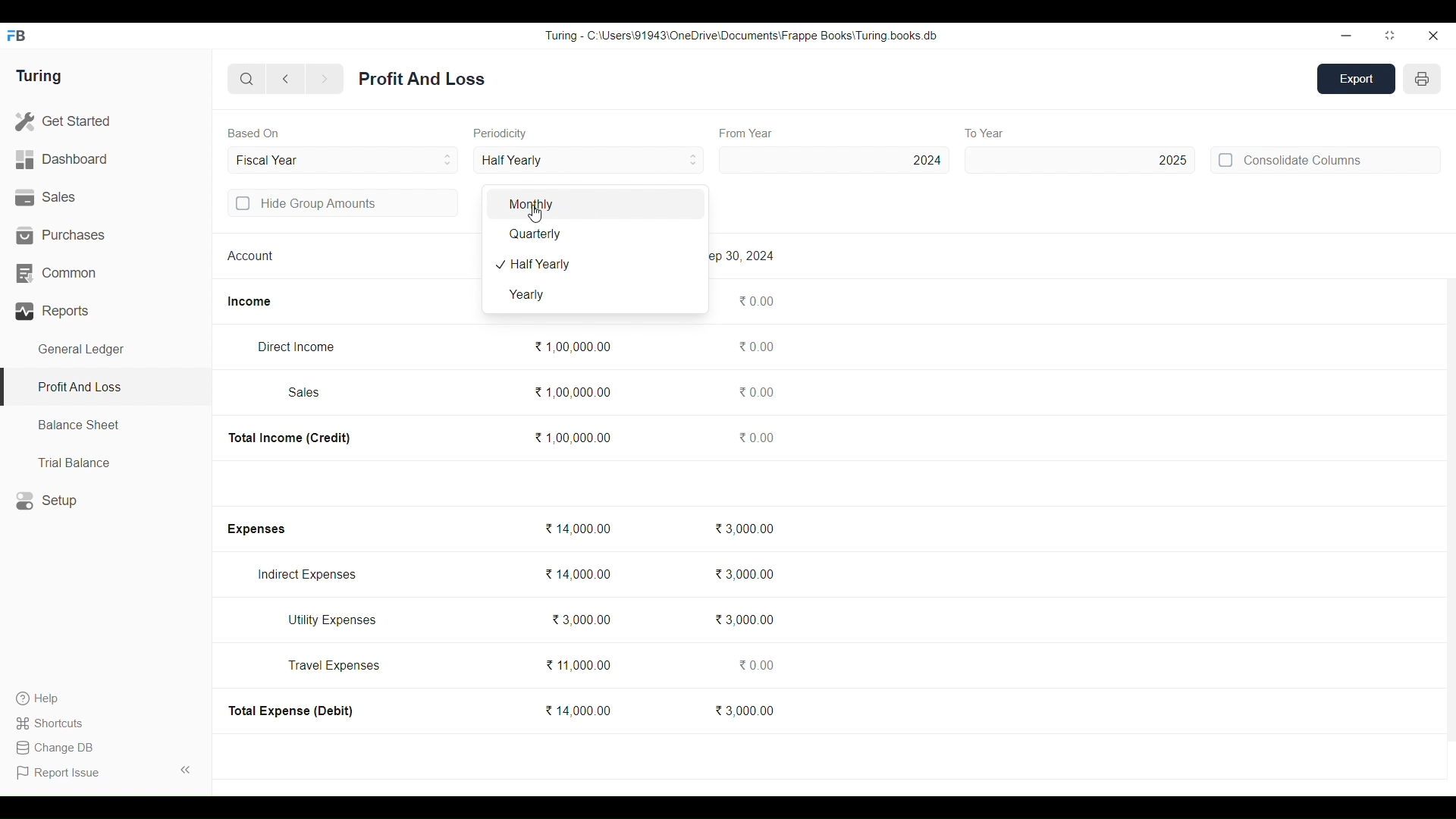 The width and height of the screenshot is (1456, 819). What do you see at coordinates (1422, 79) in the screenshot?
I see `Open report print view` at bounding box center [1422, 79].